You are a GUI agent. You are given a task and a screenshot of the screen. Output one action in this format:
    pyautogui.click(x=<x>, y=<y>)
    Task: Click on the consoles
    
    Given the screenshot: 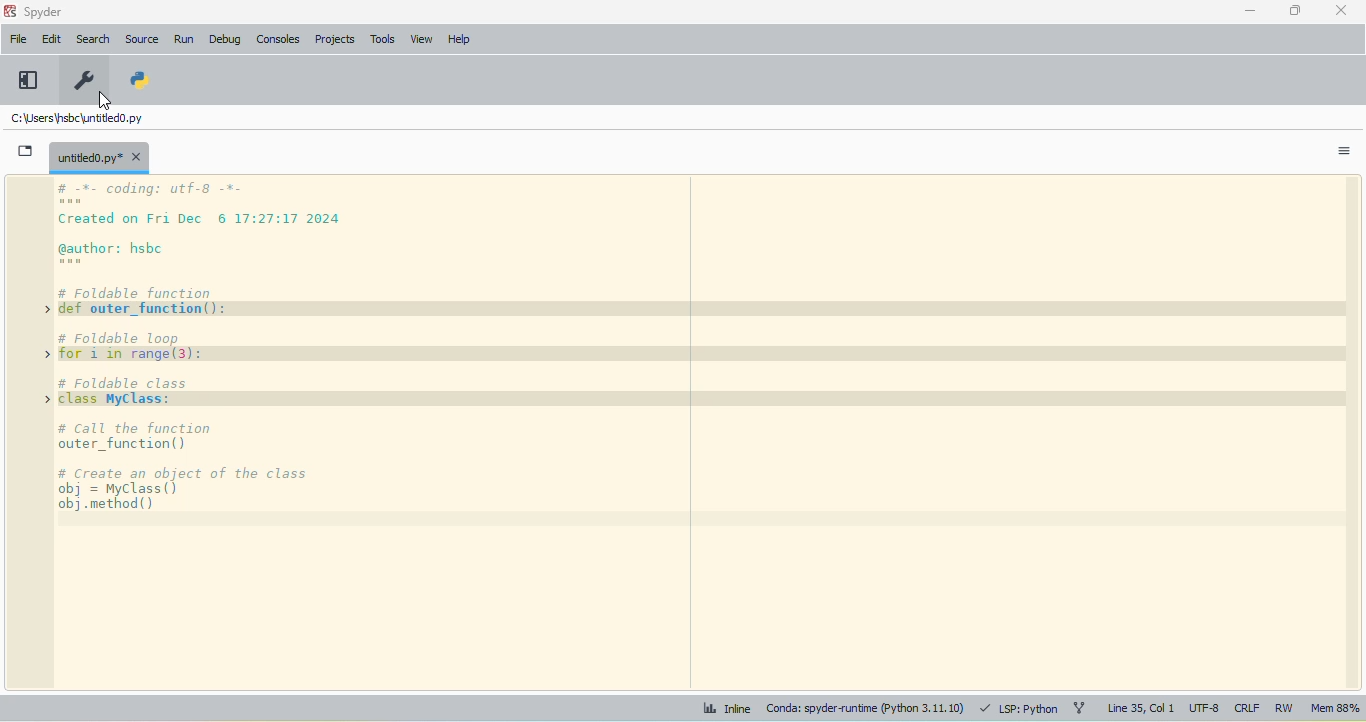 What is the action you would take?
    pyautogui.click(x=276, y=39)
    